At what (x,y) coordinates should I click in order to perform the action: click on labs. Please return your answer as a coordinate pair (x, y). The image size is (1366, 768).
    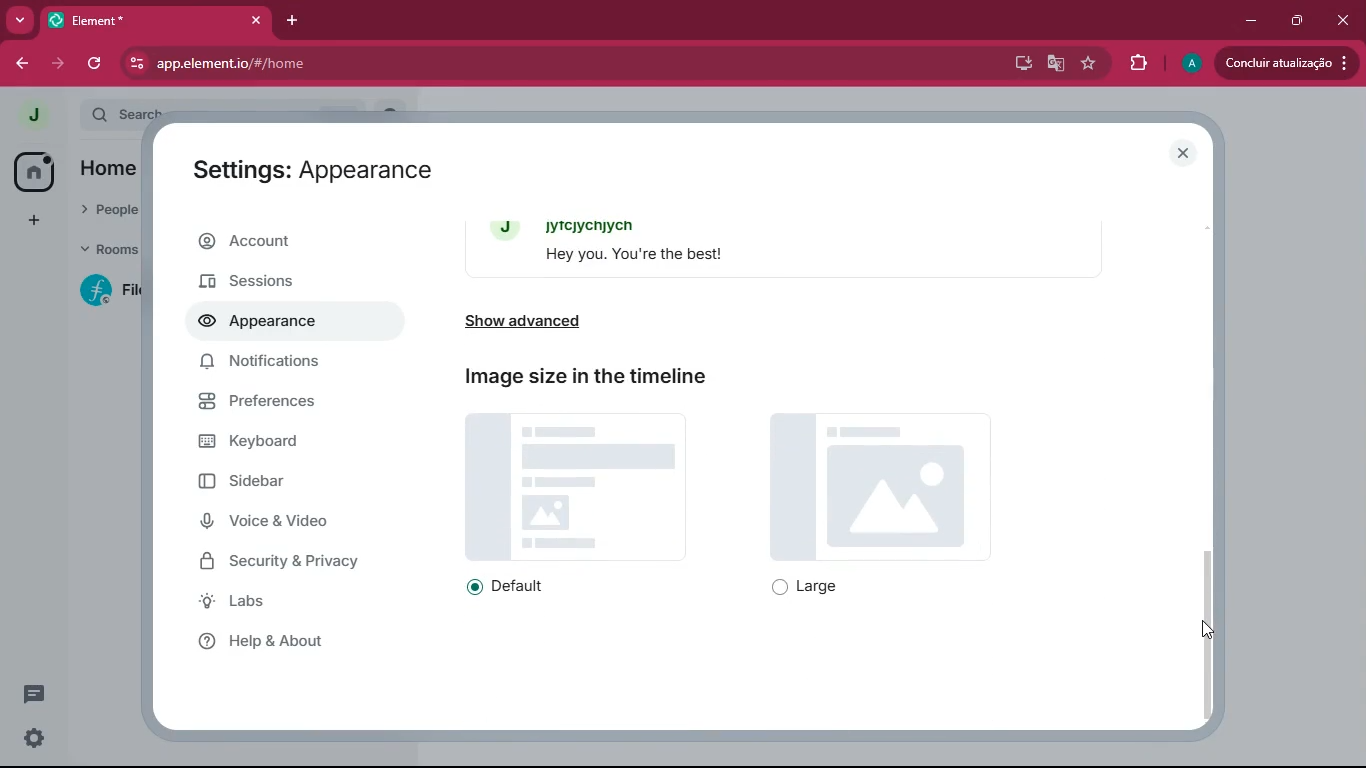
    Looking at the image, I should click on (281, 605).